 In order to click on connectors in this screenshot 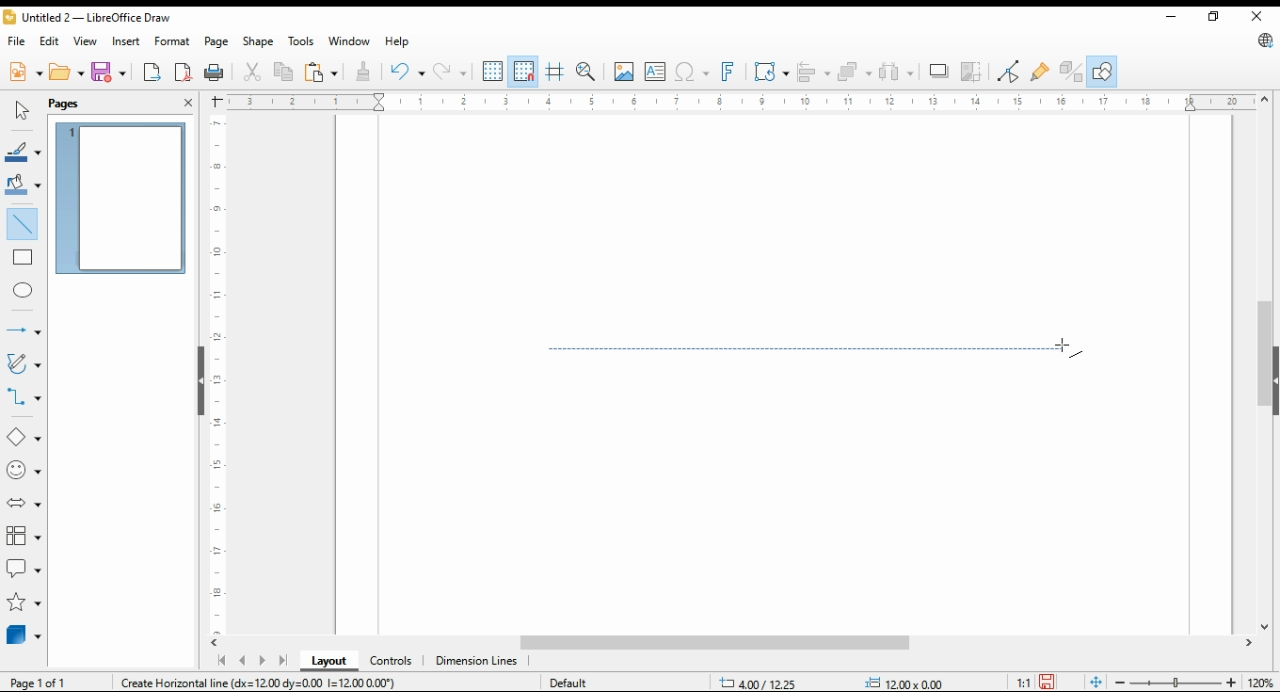, I will do `click(24, 394)`.